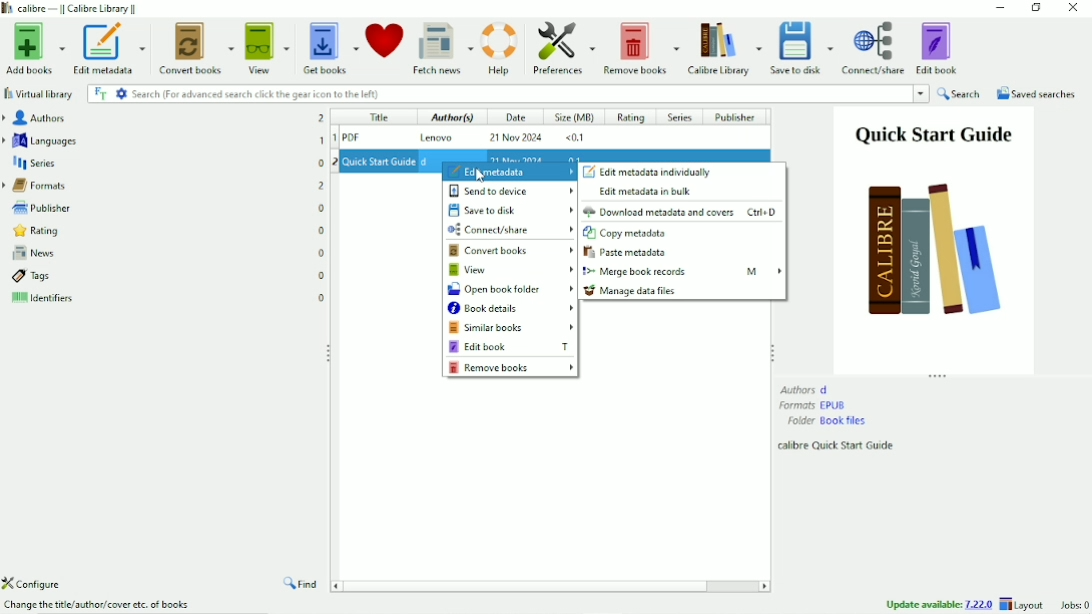  I want to click on Formats, so click(164, 184).